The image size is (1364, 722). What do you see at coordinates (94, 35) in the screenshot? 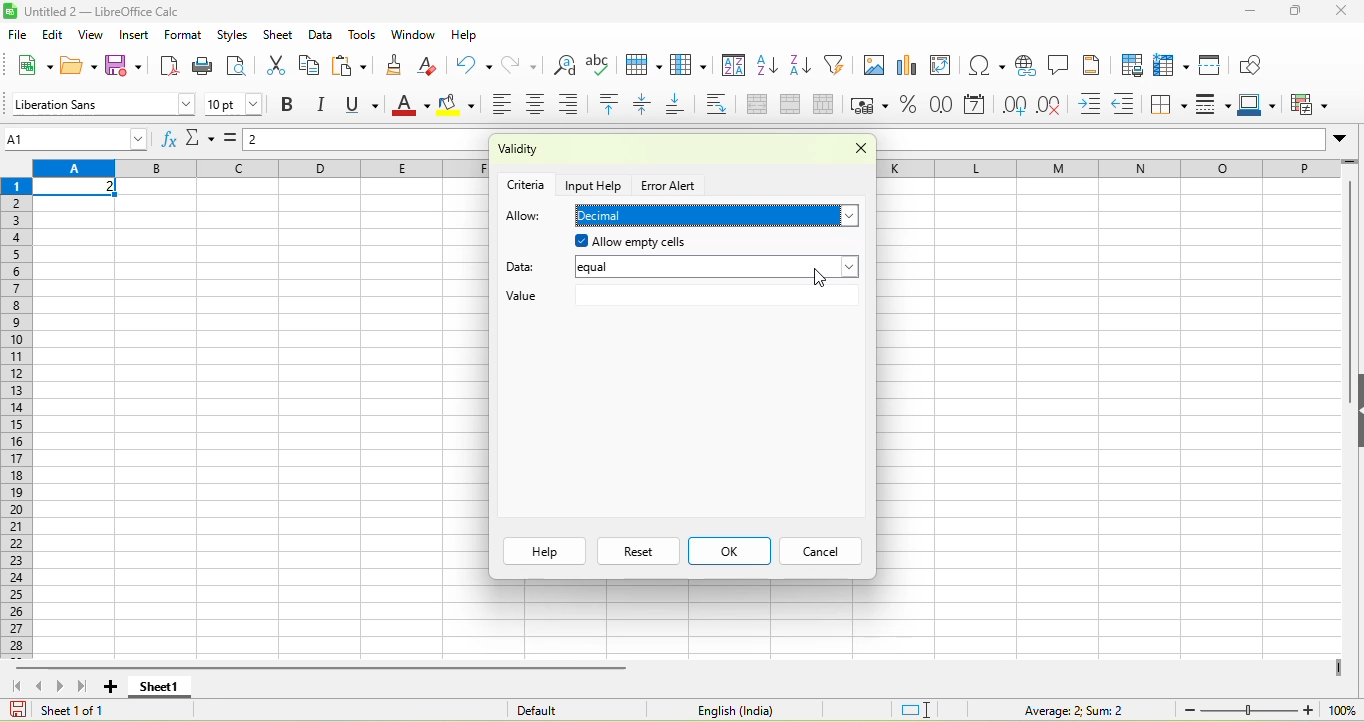
I see `view` at bounding box center [94, 35].